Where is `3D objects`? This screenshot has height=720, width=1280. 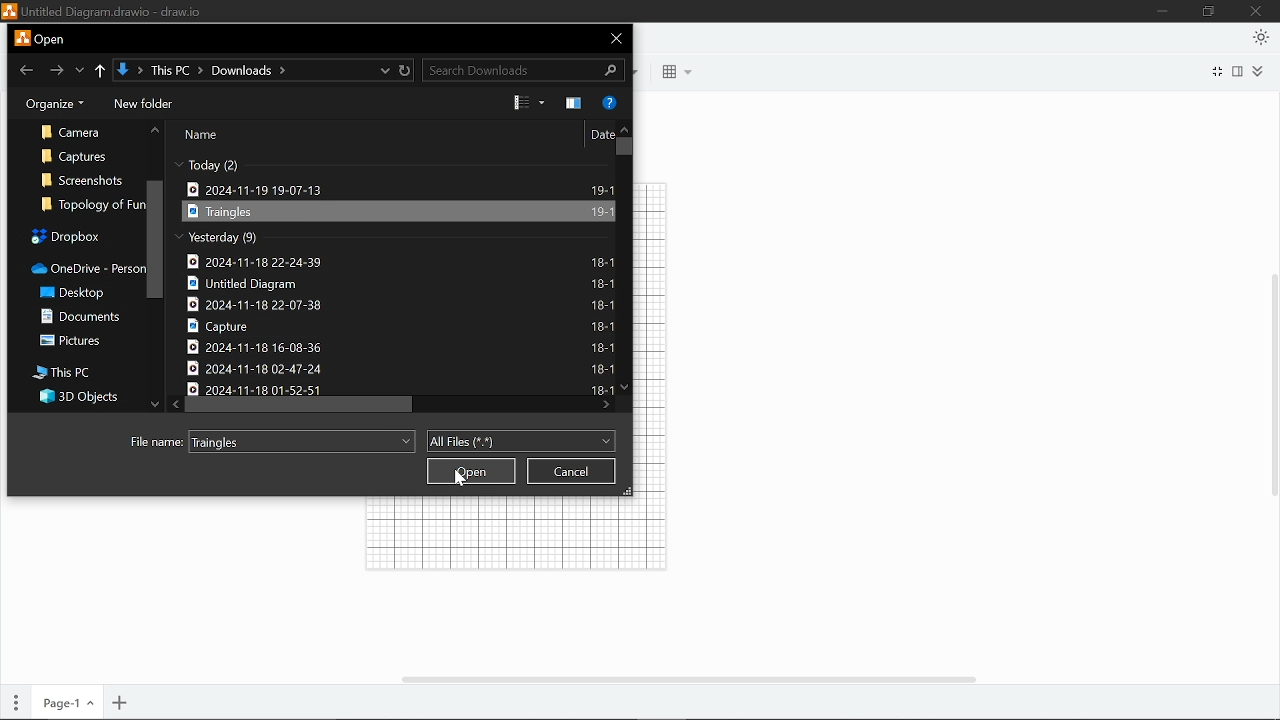
3D objects is located at coordinates (76, 400).